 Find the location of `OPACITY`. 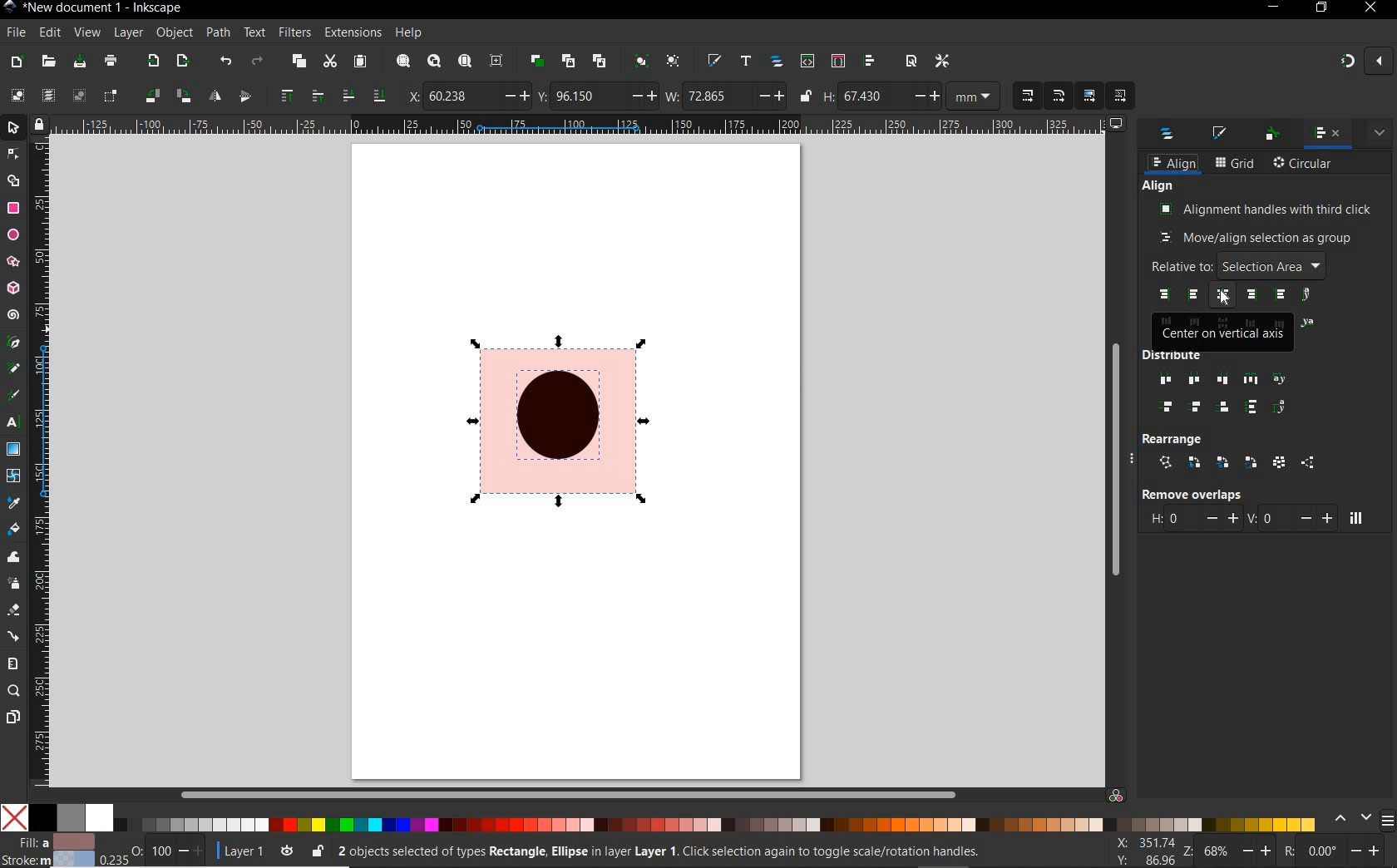

OPACITY is located at coordinates (151, 850).